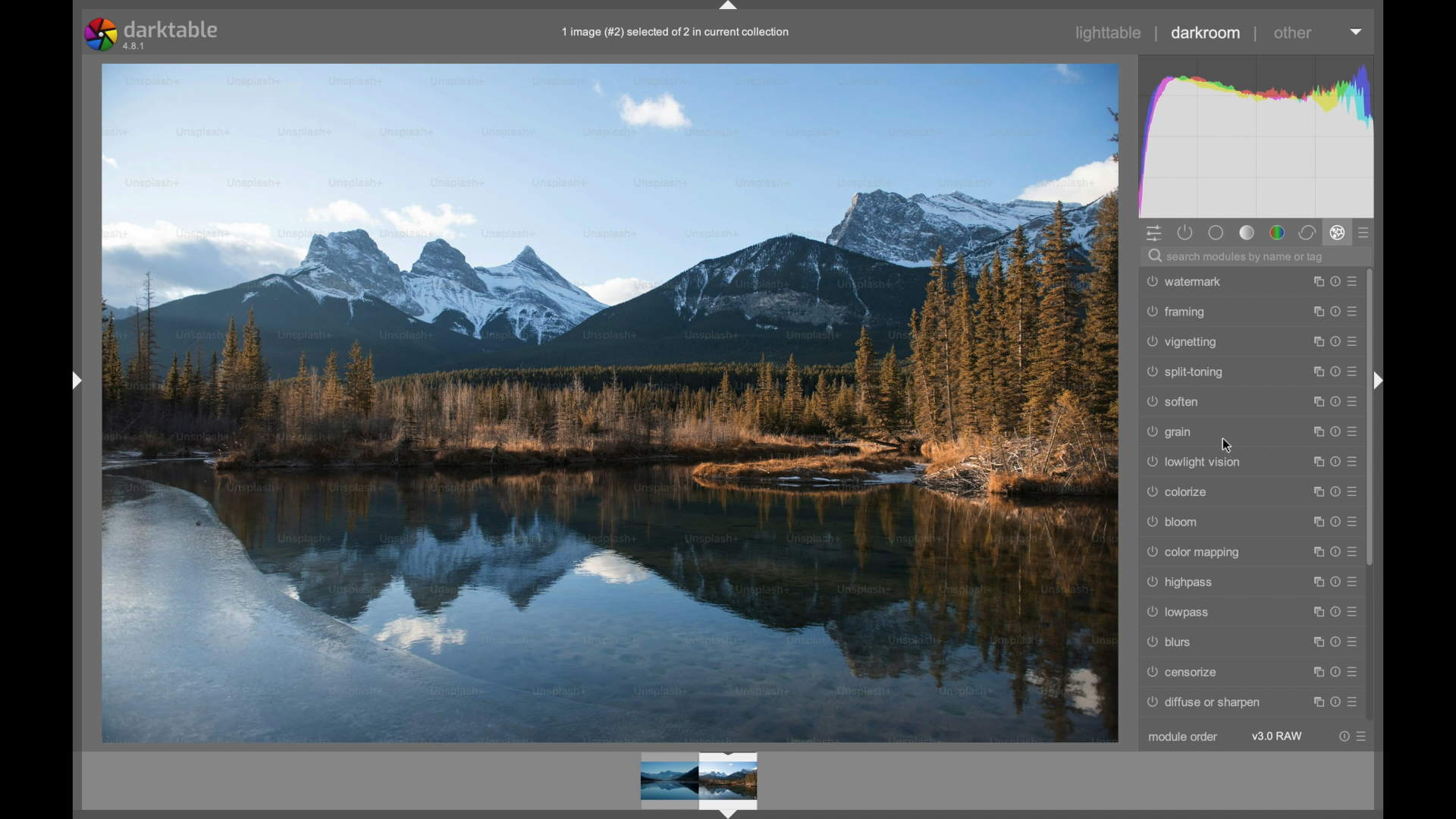 This screenshot has height=819, width=1456. What do you see at coordinates (74, 380) in the screenshot?
I see `Drag handle` at bounding box center [74, 380].